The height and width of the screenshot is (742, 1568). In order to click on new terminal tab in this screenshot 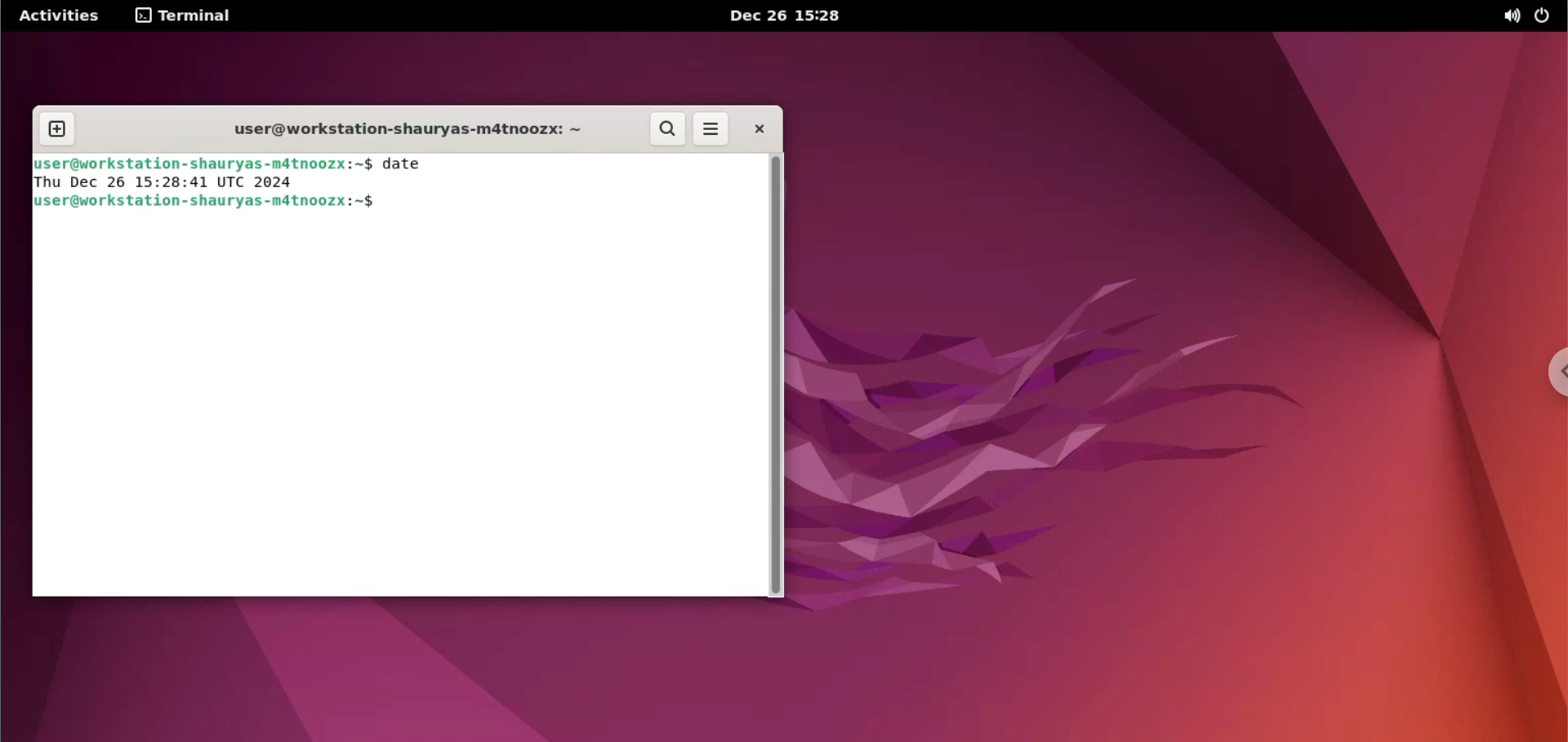, I will do `click(57, 131)`.